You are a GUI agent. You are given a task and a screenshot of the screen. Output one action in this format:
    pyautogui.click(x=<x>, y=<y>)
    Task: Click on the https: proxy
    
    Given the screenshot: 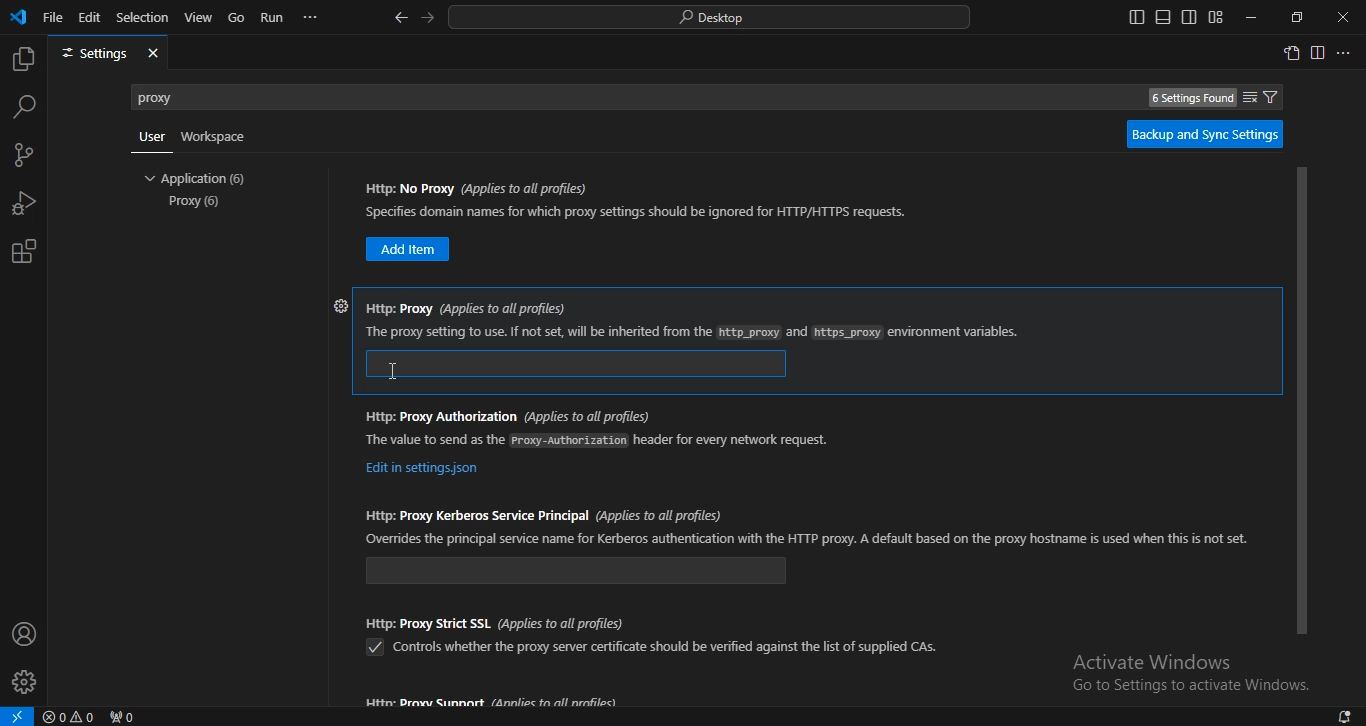 What is the action you would take?
    pyautogui.click(x=465, y=307)
    